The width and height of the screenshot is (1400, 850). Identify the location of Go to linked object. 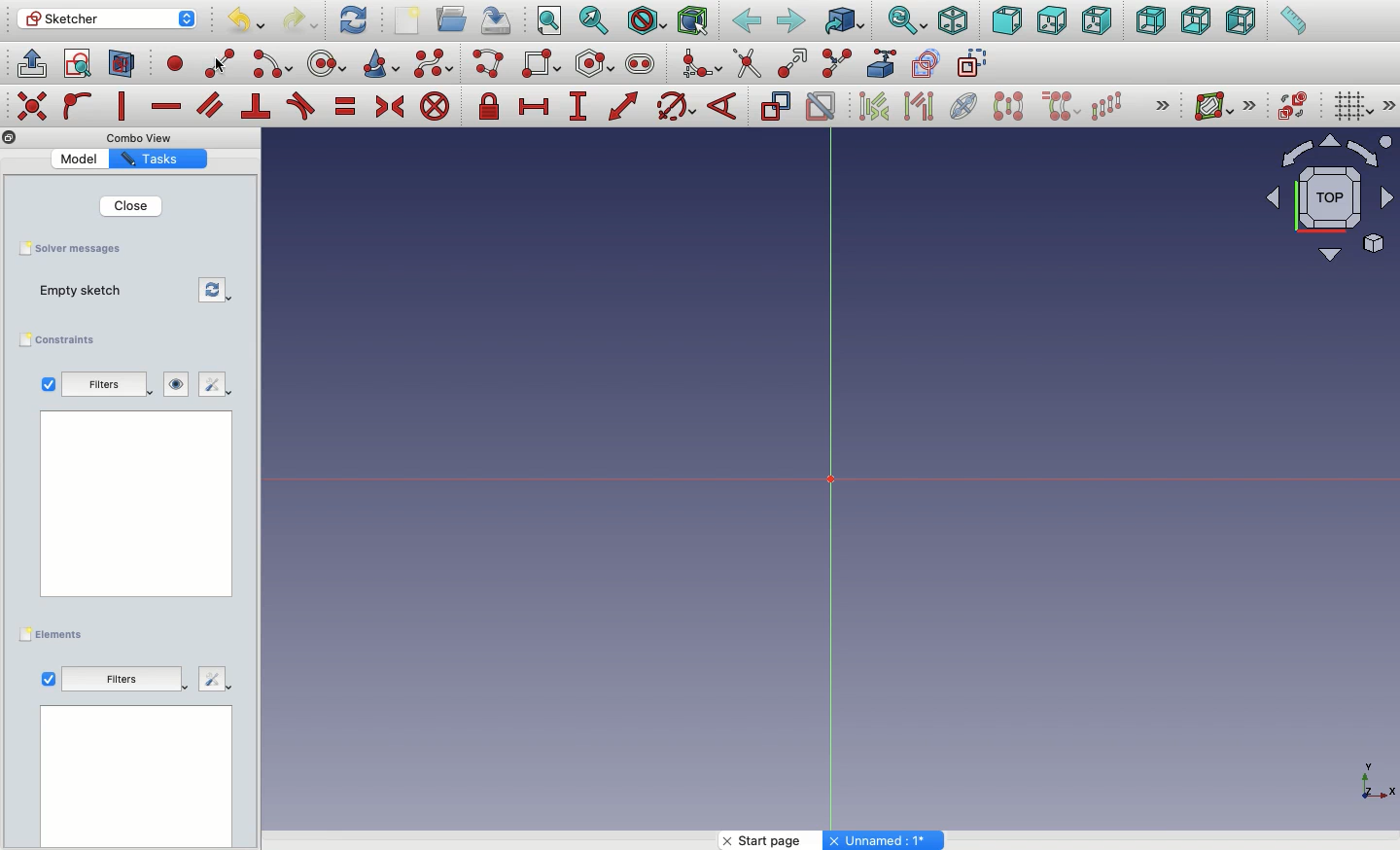
(844, 20).